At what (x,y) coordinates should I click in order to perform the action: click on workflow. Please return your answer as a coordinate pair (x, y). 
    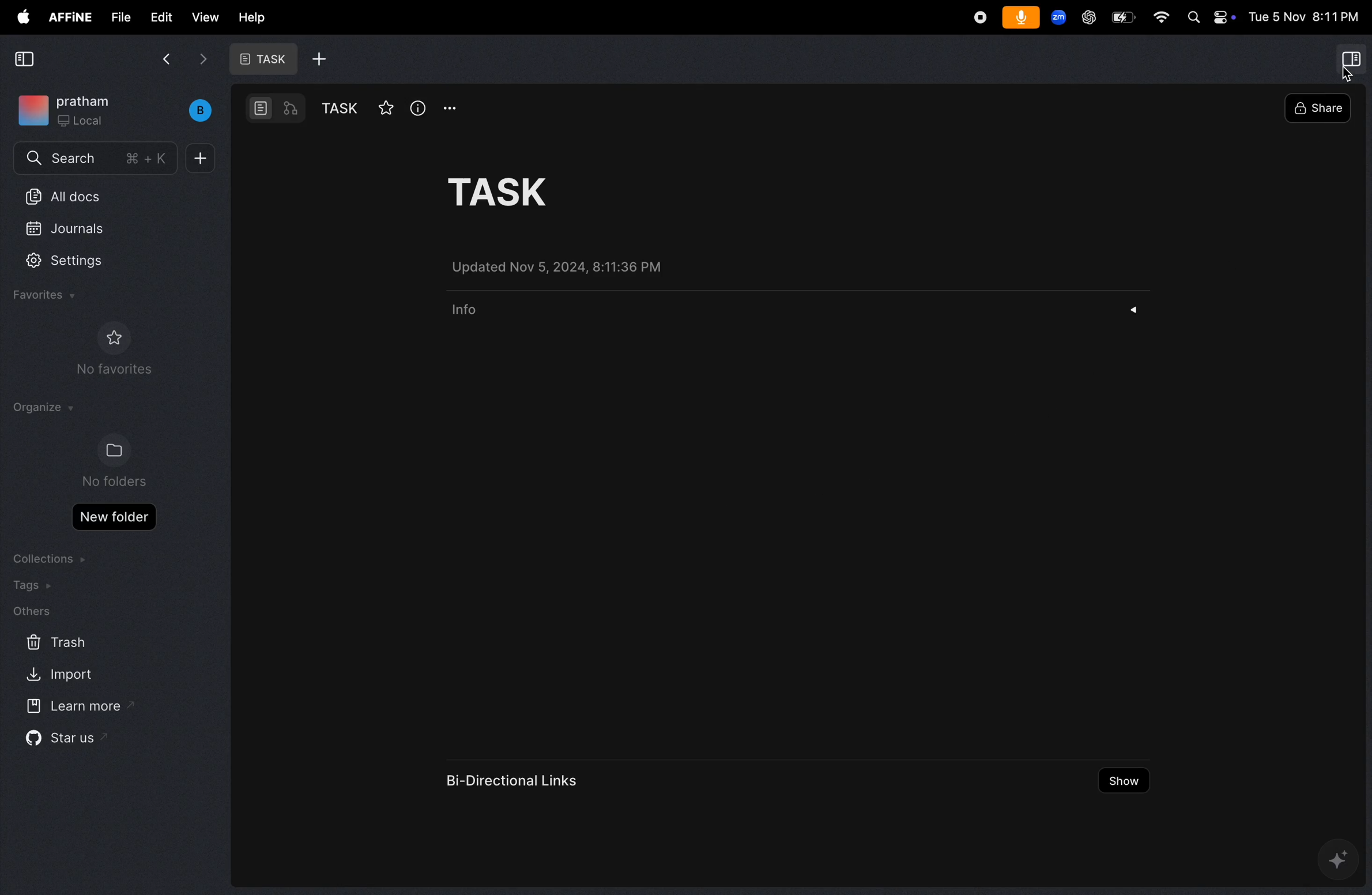
    Looking at the image, I should click on (292, 110).